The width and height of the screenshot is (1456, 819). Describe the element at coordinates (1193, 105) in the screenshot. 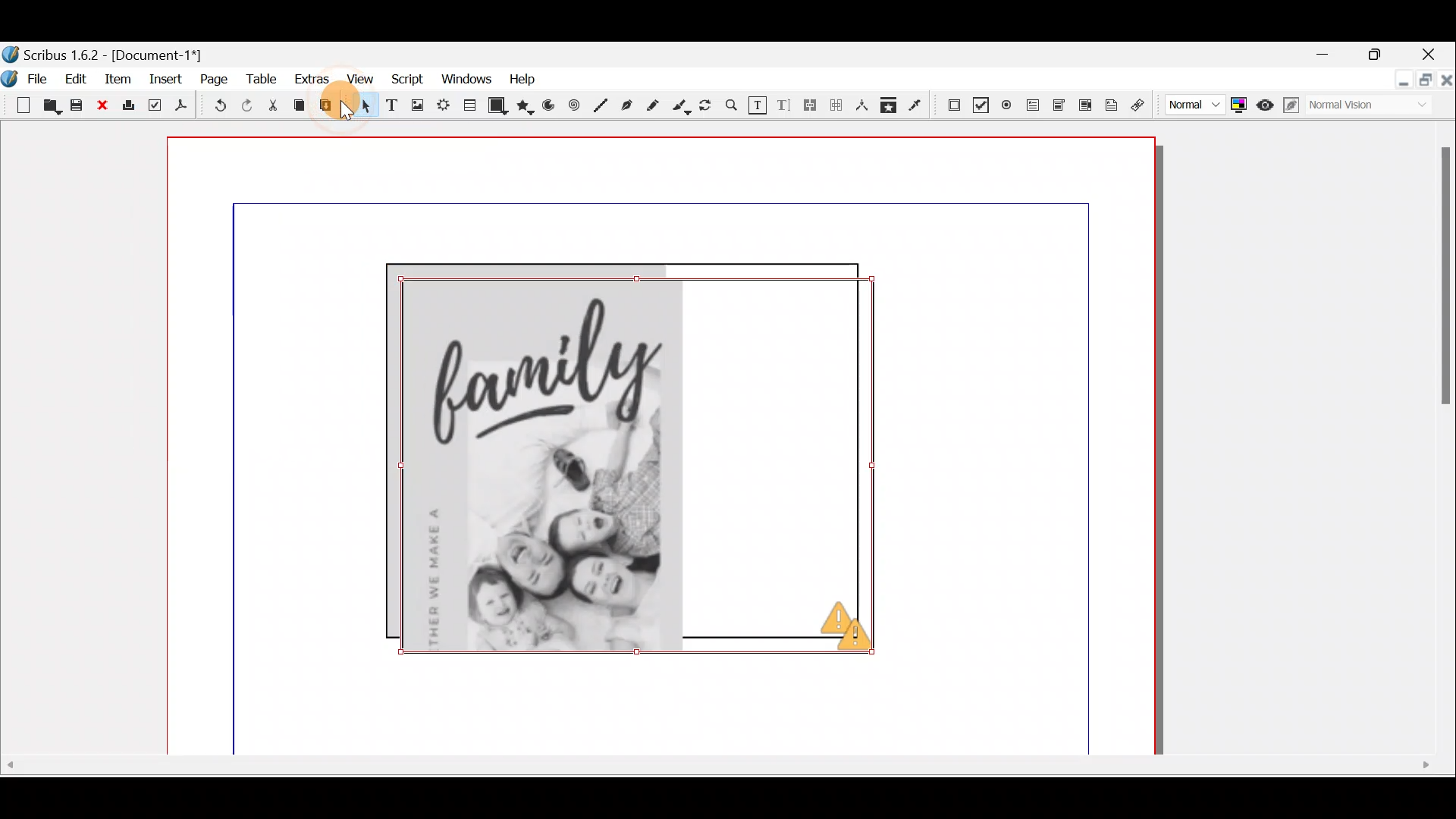

I see `Image preview quality` at that location.